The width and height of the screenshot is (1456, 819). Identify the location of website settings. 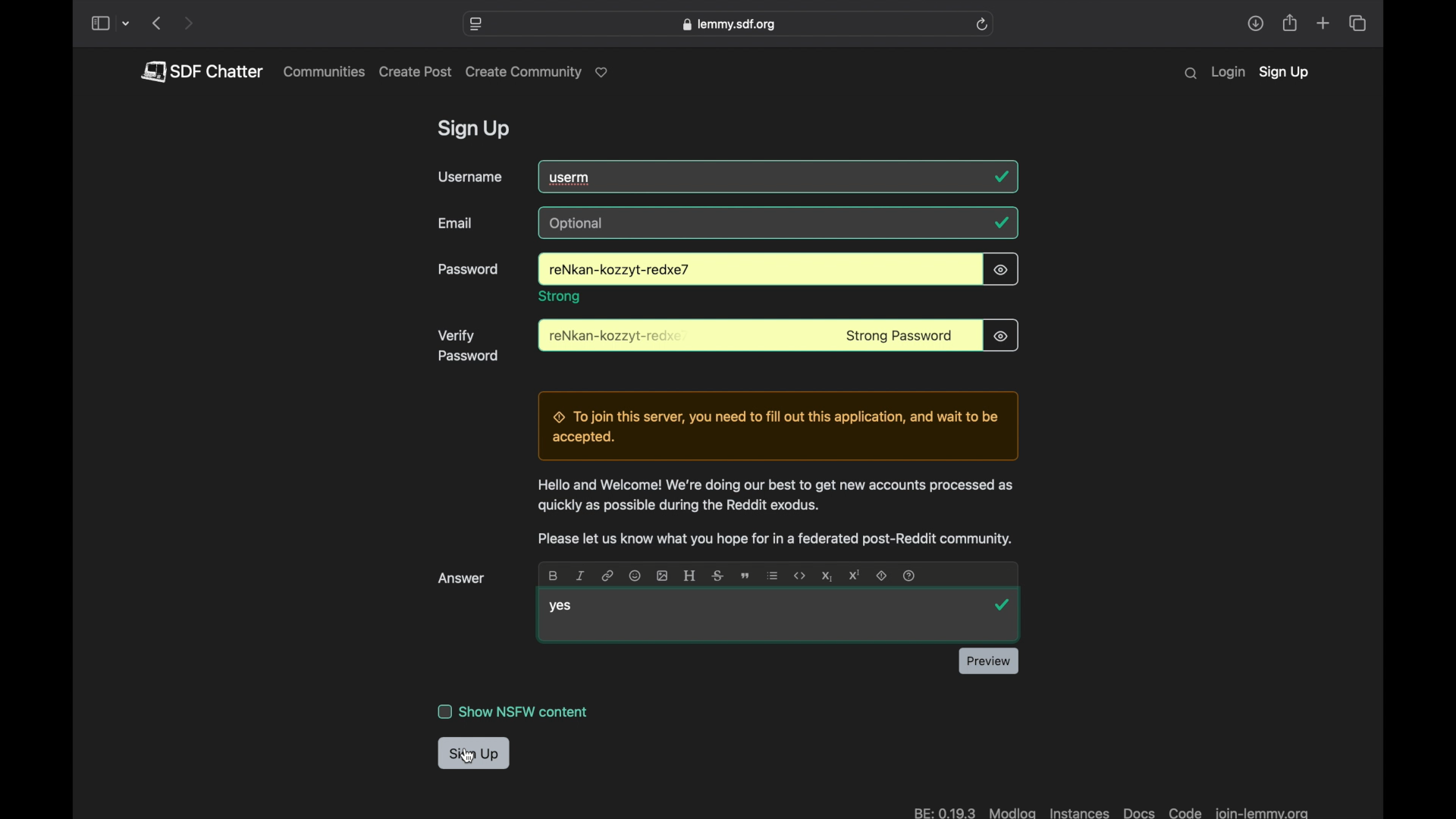
(477, 24).